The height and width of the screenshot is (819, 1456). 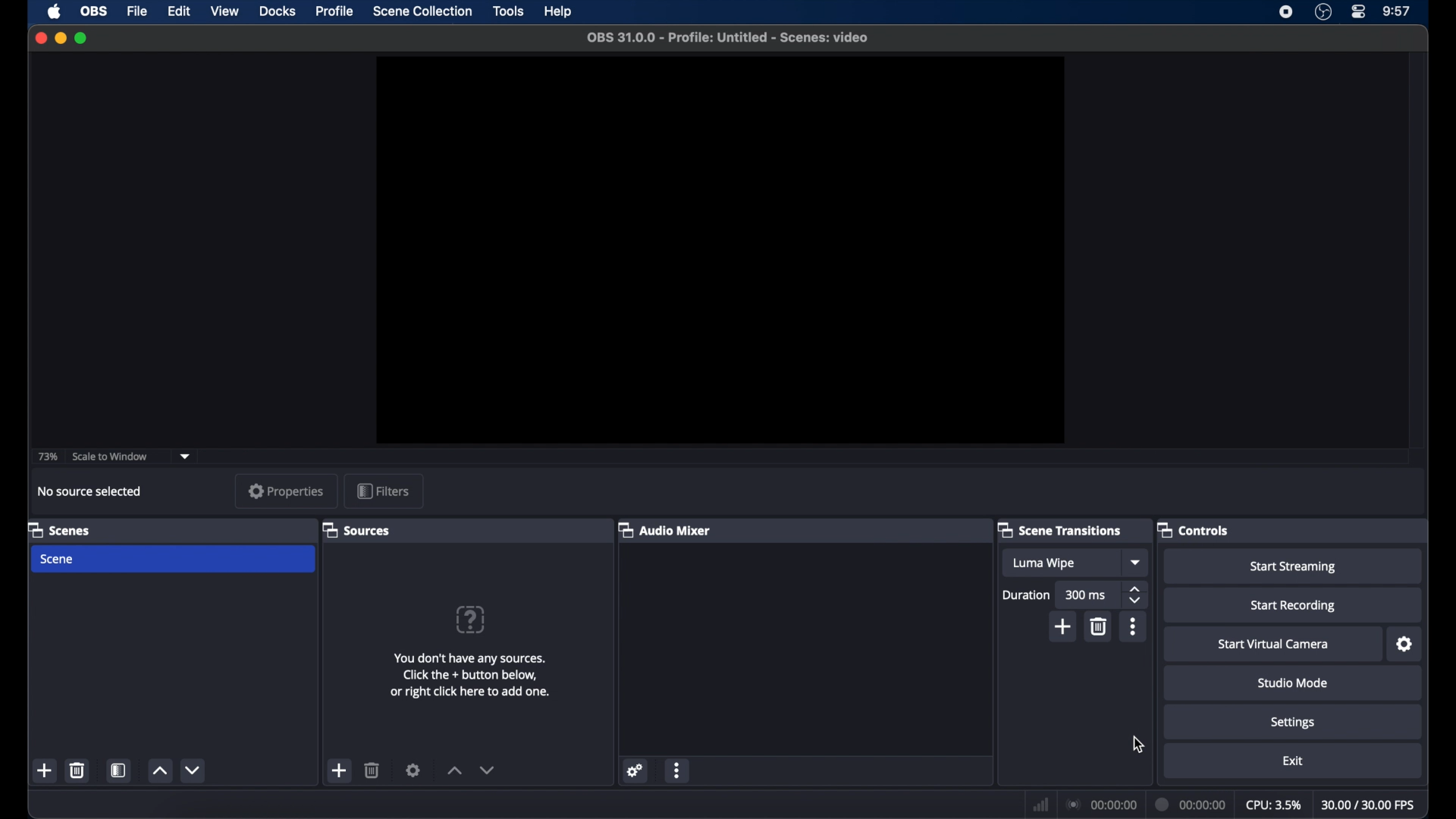 What do you see at coordinates (278, 11) in the screenshot?
I see `docks` at bounding box center [278, 11].